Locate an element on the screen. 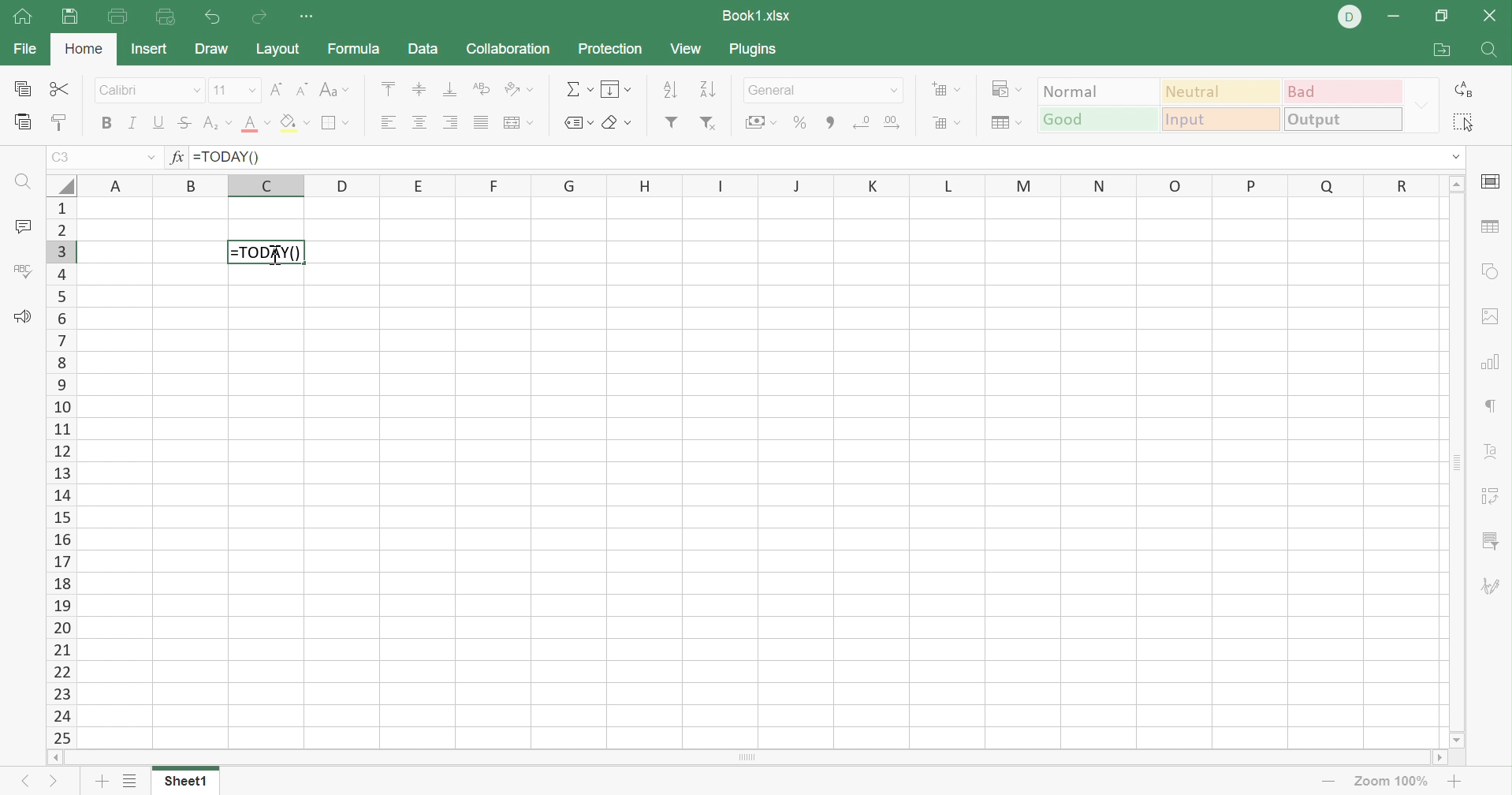  Normal is located at coordinates (1097, 90).